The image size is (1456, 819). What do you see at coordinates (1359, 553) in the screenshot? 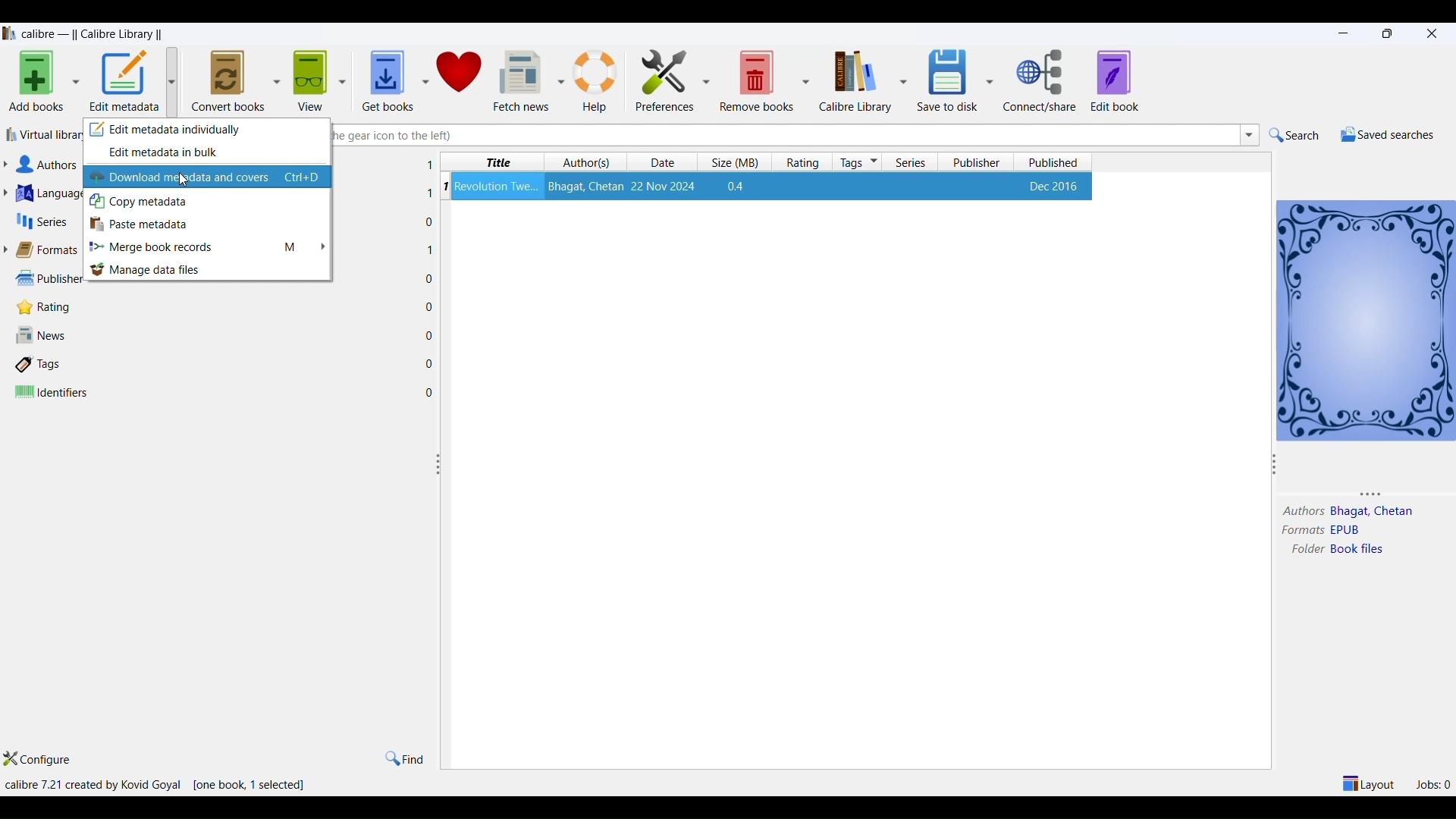
I see `folder name` at bounding box center [1359, 553].